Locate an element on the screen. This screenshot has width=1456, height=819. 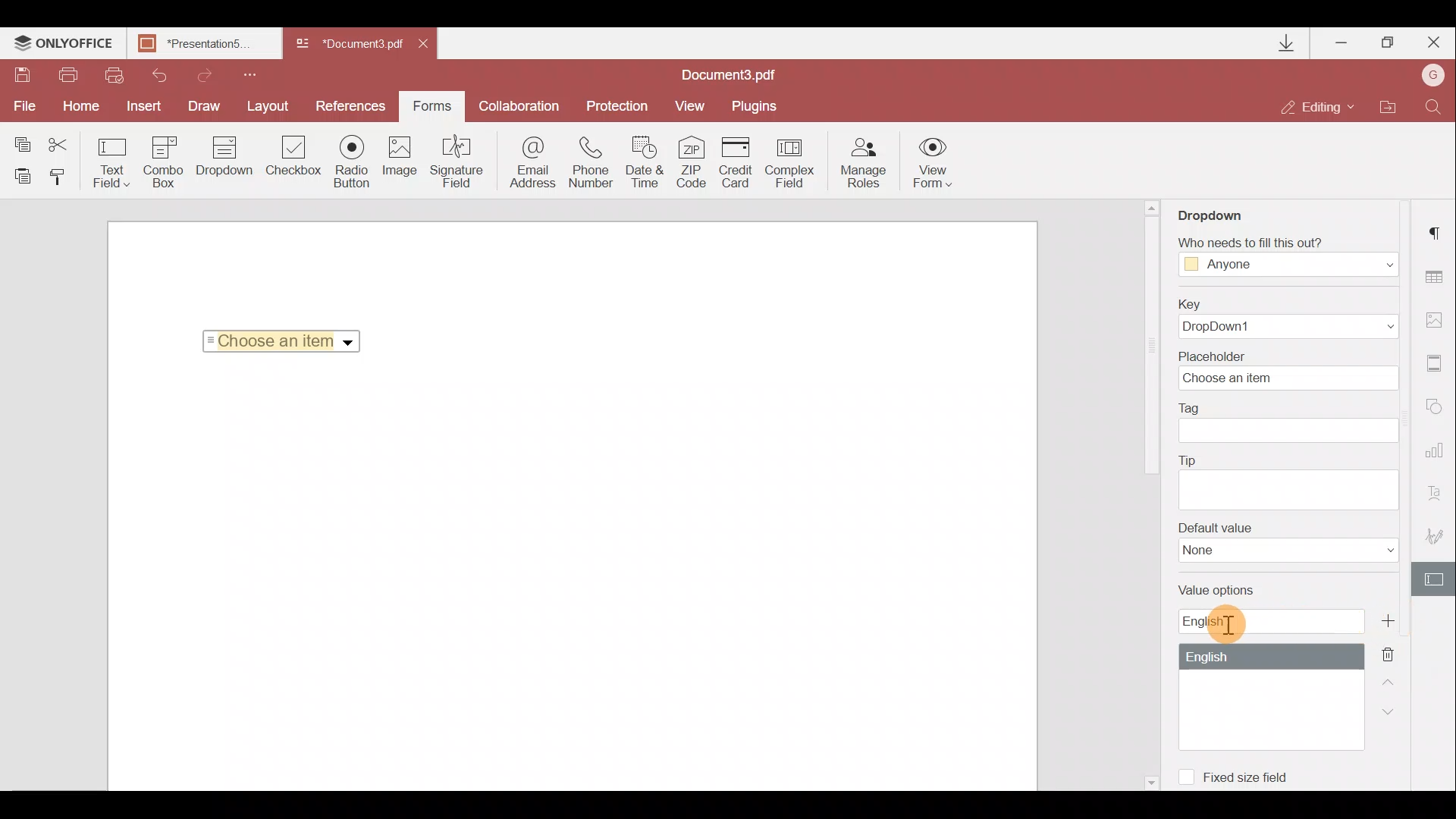
Image is located at coordinates (401, 163).